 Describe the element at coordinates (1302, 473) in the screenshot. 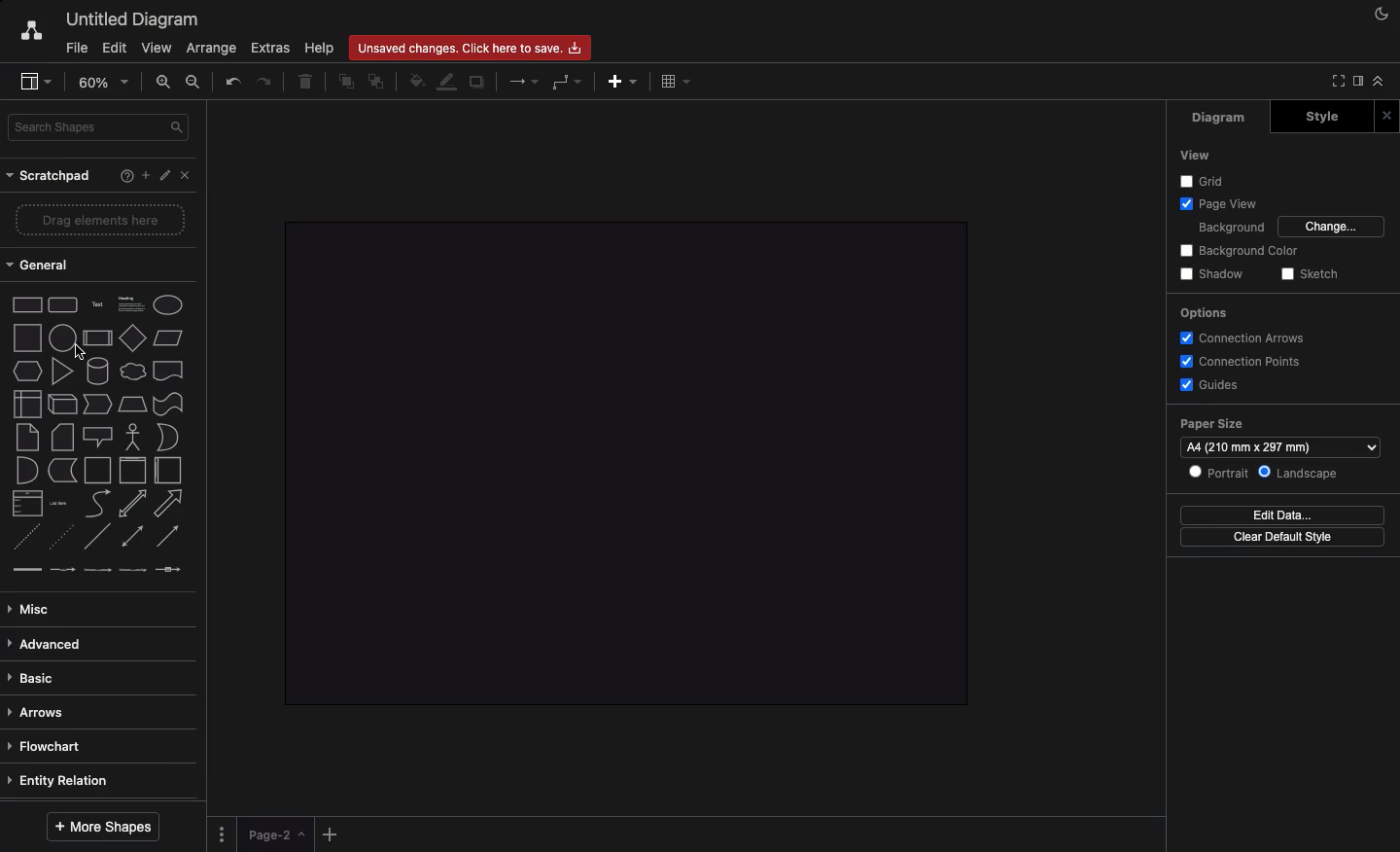

I see `Landscape` at that location.